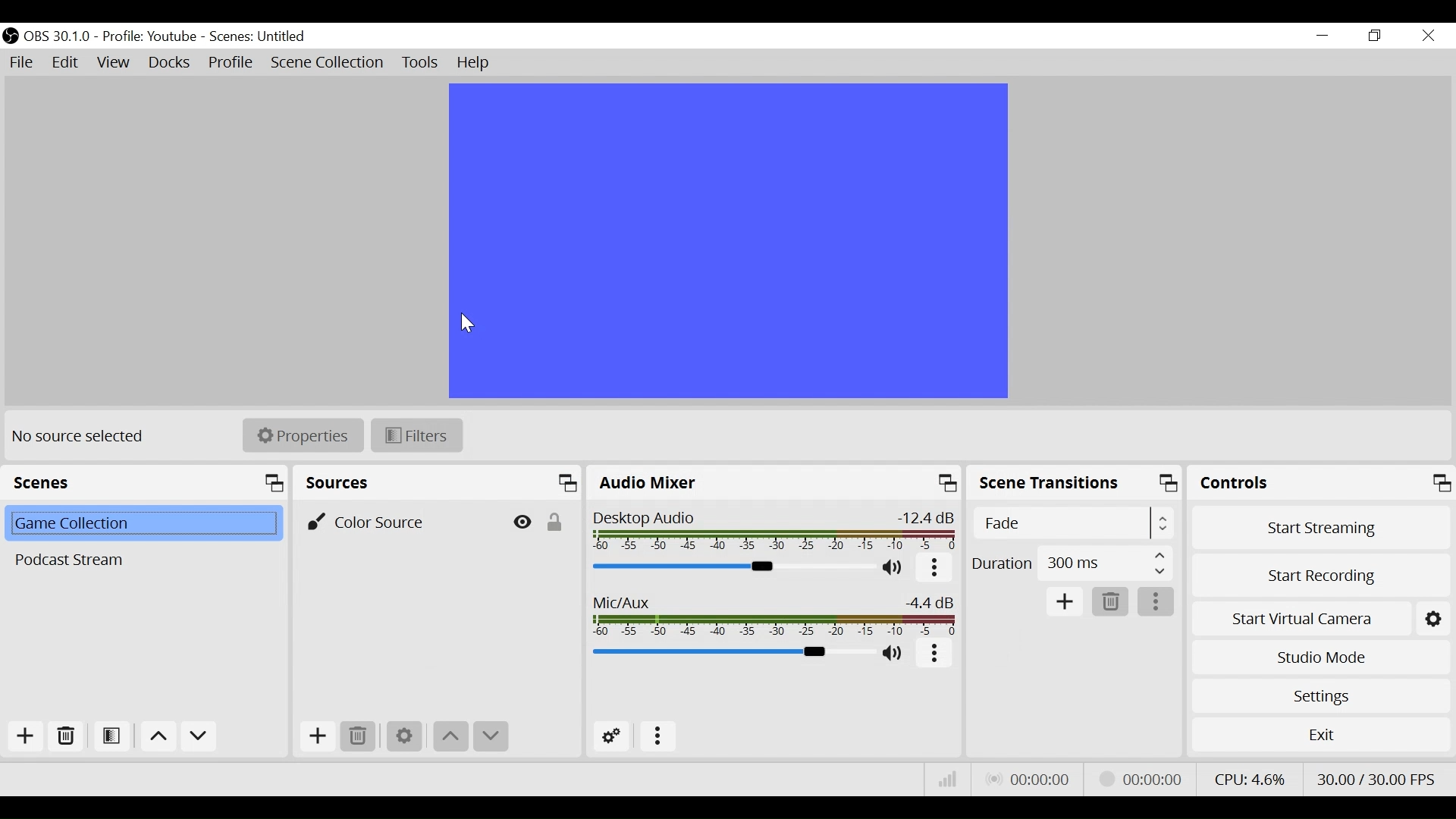 The image size is (1456, 819). What do you see at coordinates (1319, 660) in the screenshot?
I see `Studio Mode` at bounding box center [1319, 660].